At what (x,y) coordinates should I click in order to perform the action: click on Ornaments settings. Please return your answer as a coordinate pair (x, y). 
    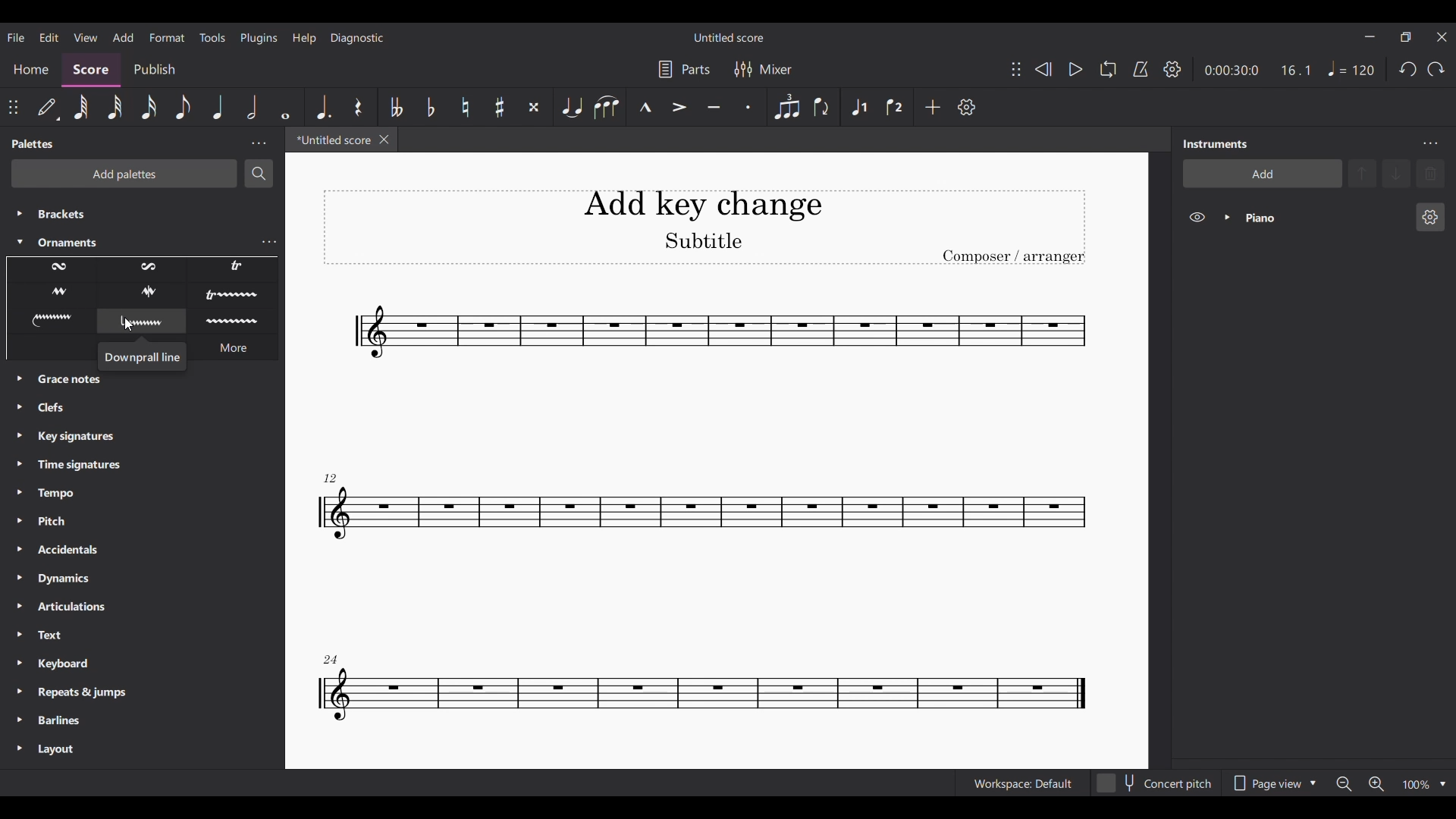
    Looking at the image, I should click on (268, 243).